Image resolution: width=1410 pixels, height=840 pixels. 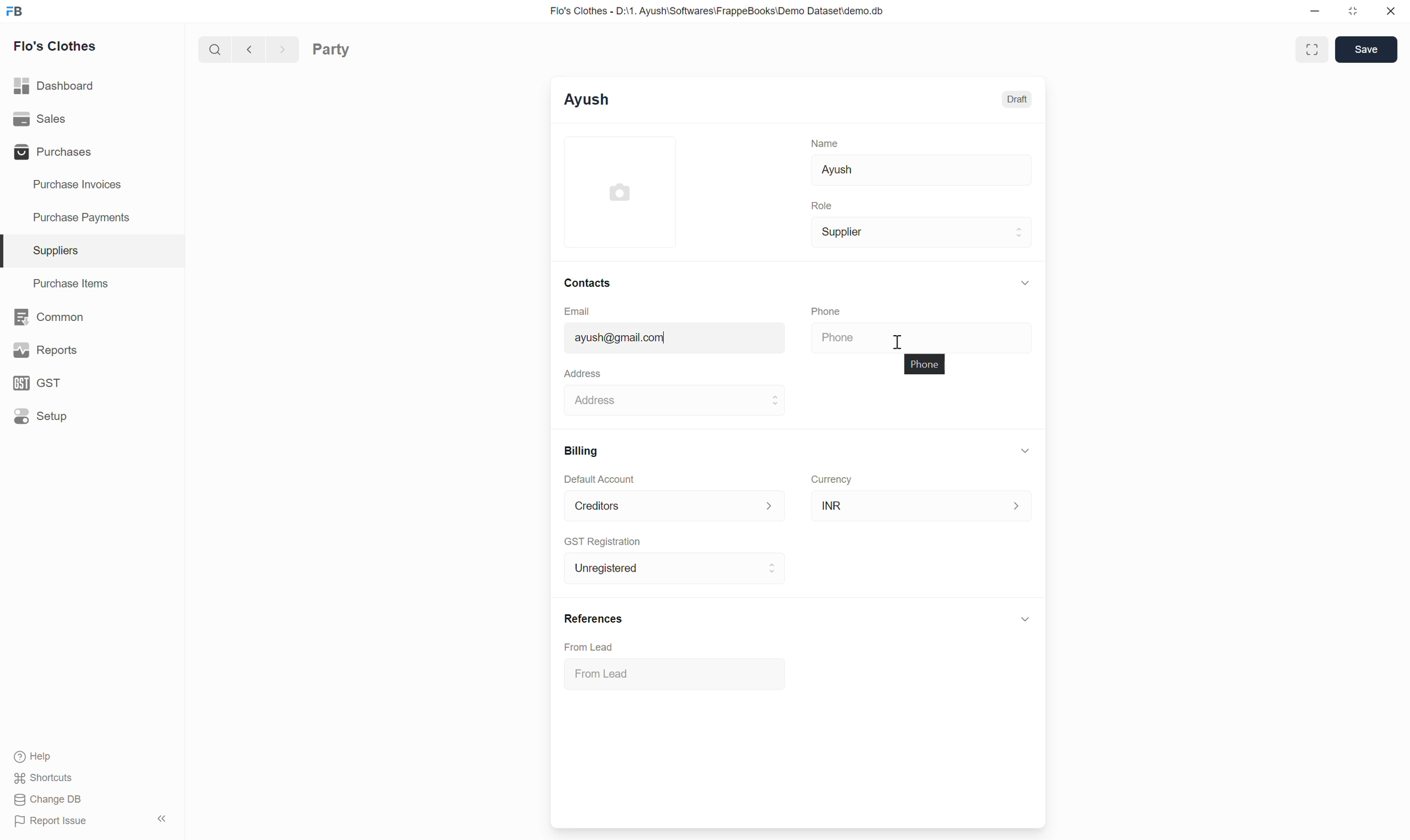 I want to click on Search, so click(x=215, y=49).